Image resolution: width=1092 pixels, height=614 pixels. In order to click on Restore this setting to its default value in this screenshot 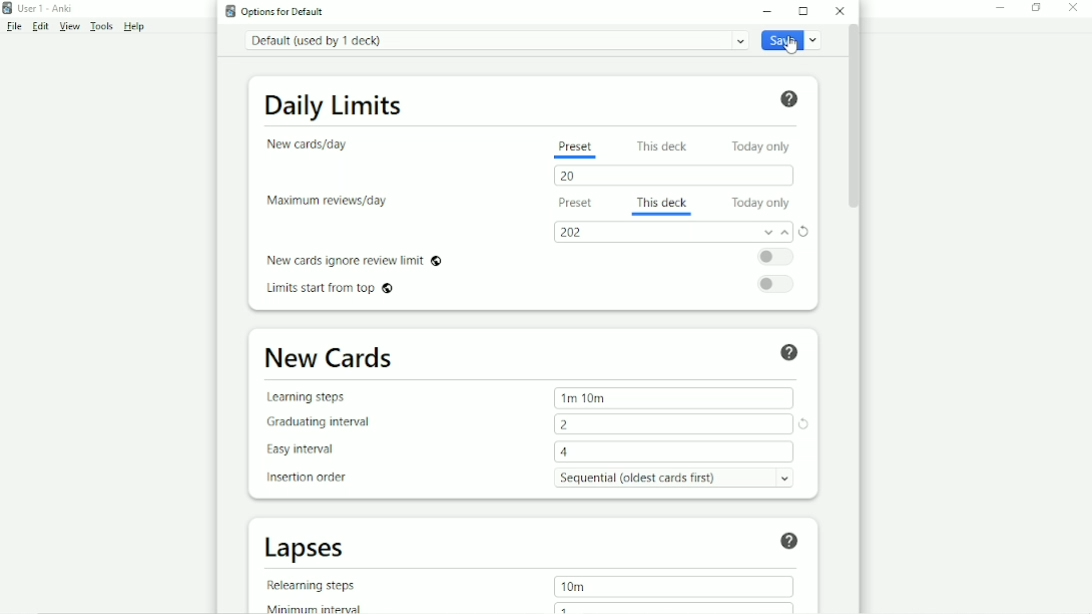, I will do `click(806, 425)`.